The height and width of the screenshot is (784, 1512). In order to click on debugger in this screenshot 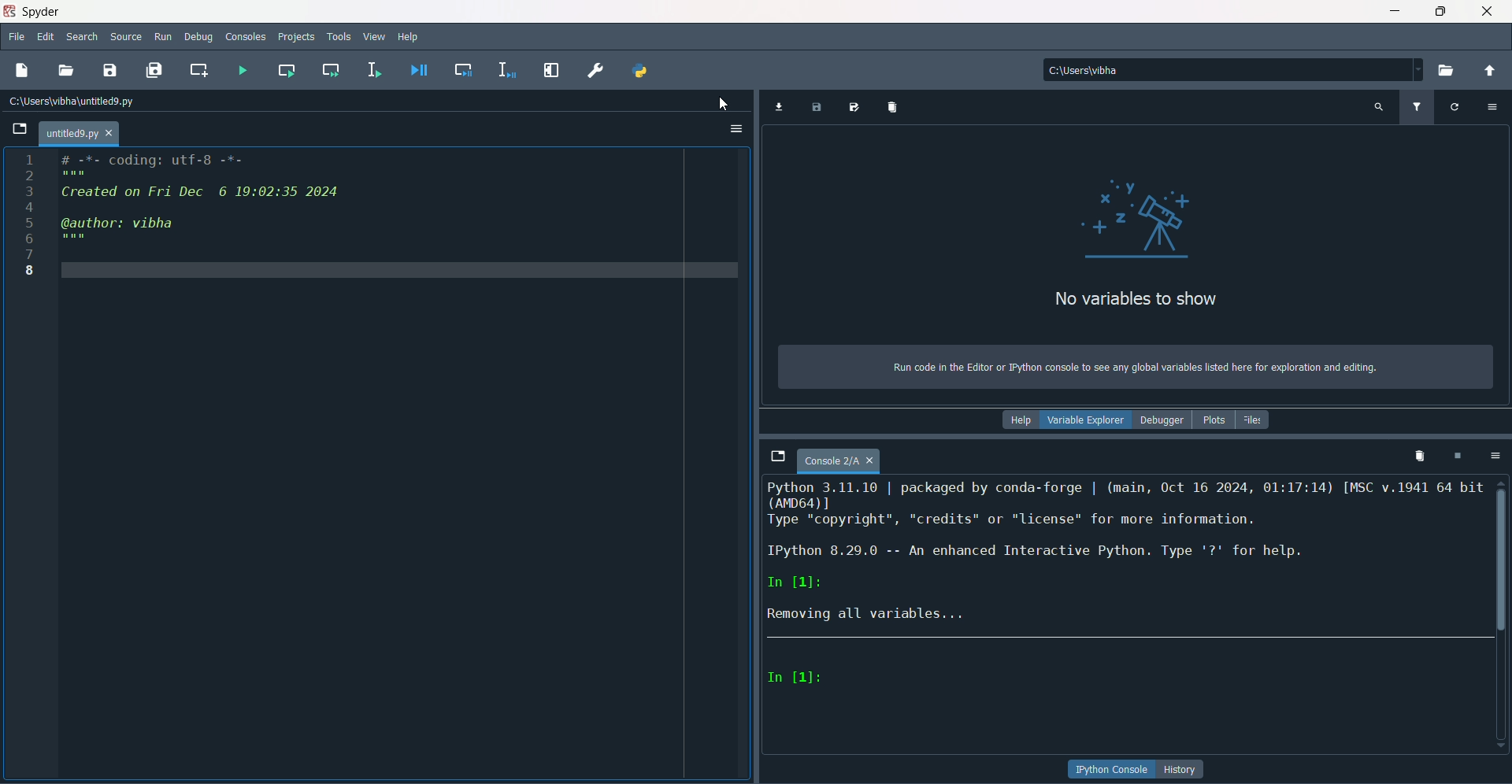, I will do `click(1162, 420)`.